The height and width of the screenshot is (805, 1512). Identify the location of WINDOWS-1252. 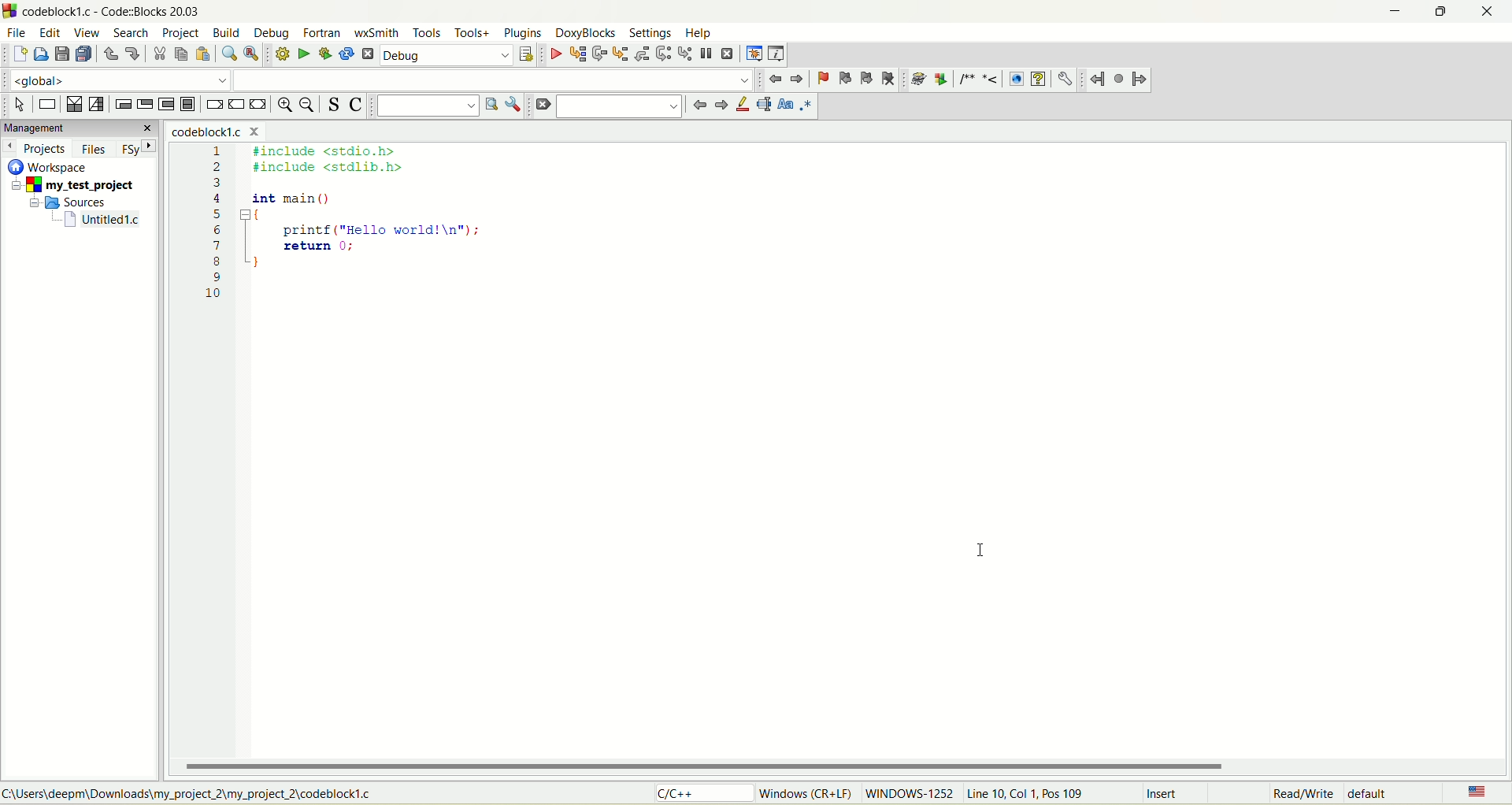
(908, 796).